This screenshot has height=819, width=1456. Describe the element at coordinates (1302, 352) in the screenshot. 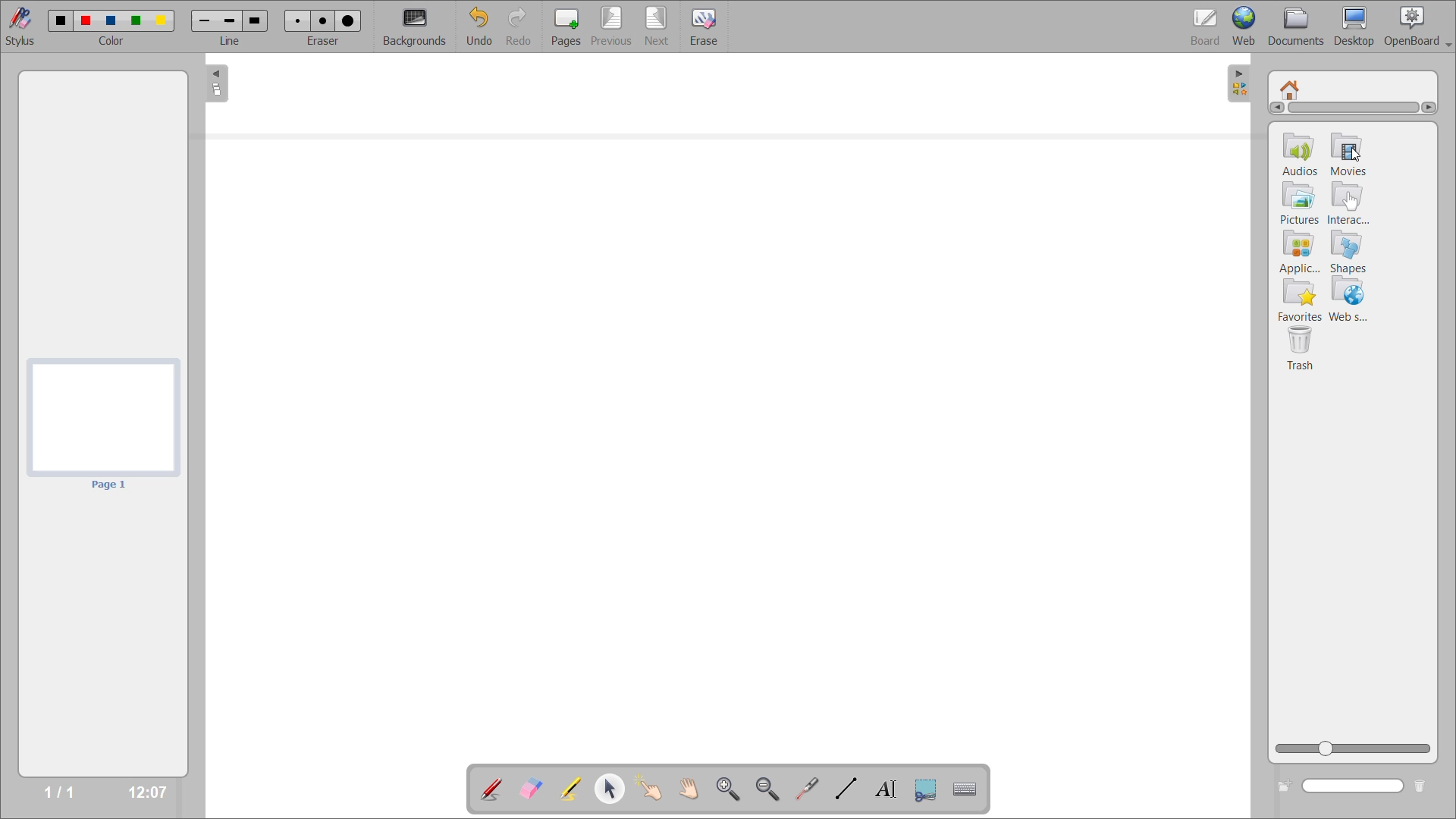

I see `trash` at that location.